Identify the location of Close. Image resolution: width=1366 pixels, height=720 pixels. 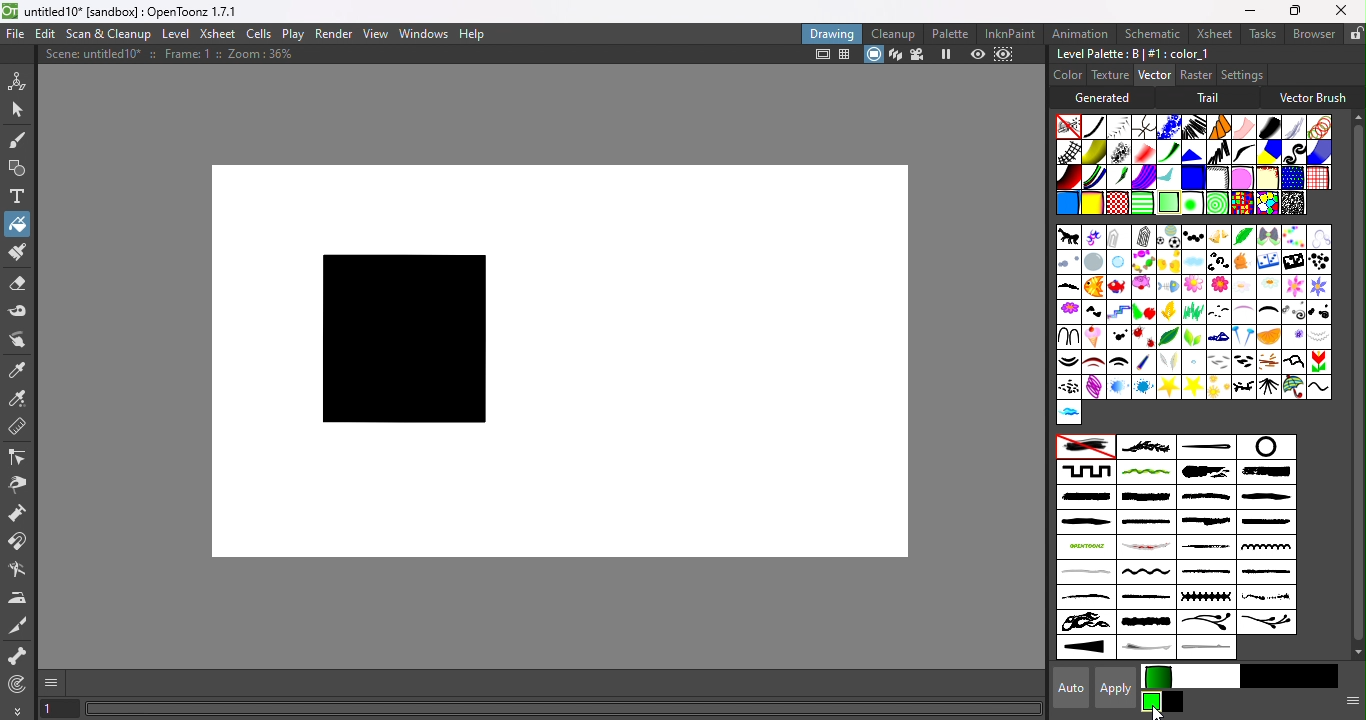
(1342, 10).